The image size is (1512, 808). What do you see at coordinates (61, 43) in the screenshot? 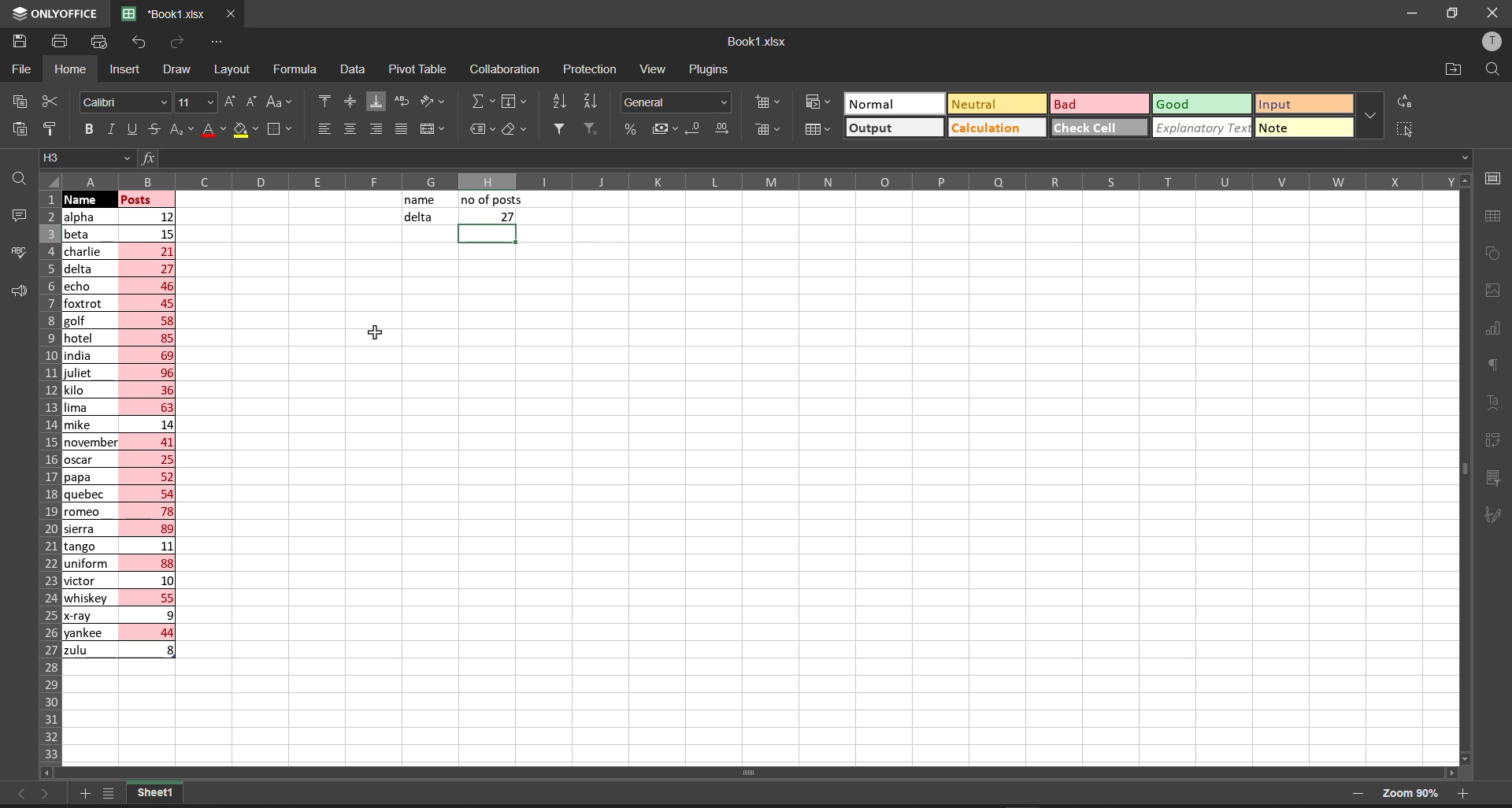
I see `print` at bounding box center [61, 43].